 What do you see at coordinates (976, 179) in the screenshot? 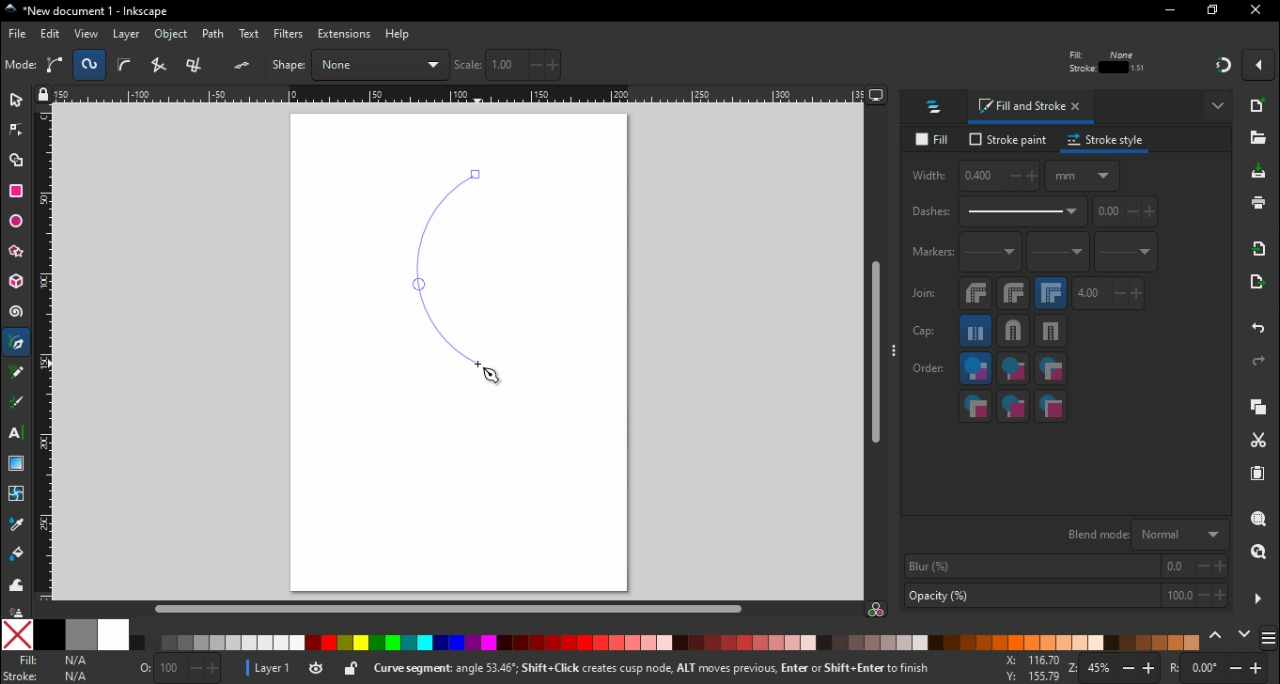
I see `width` at bounding box center [976, 179].